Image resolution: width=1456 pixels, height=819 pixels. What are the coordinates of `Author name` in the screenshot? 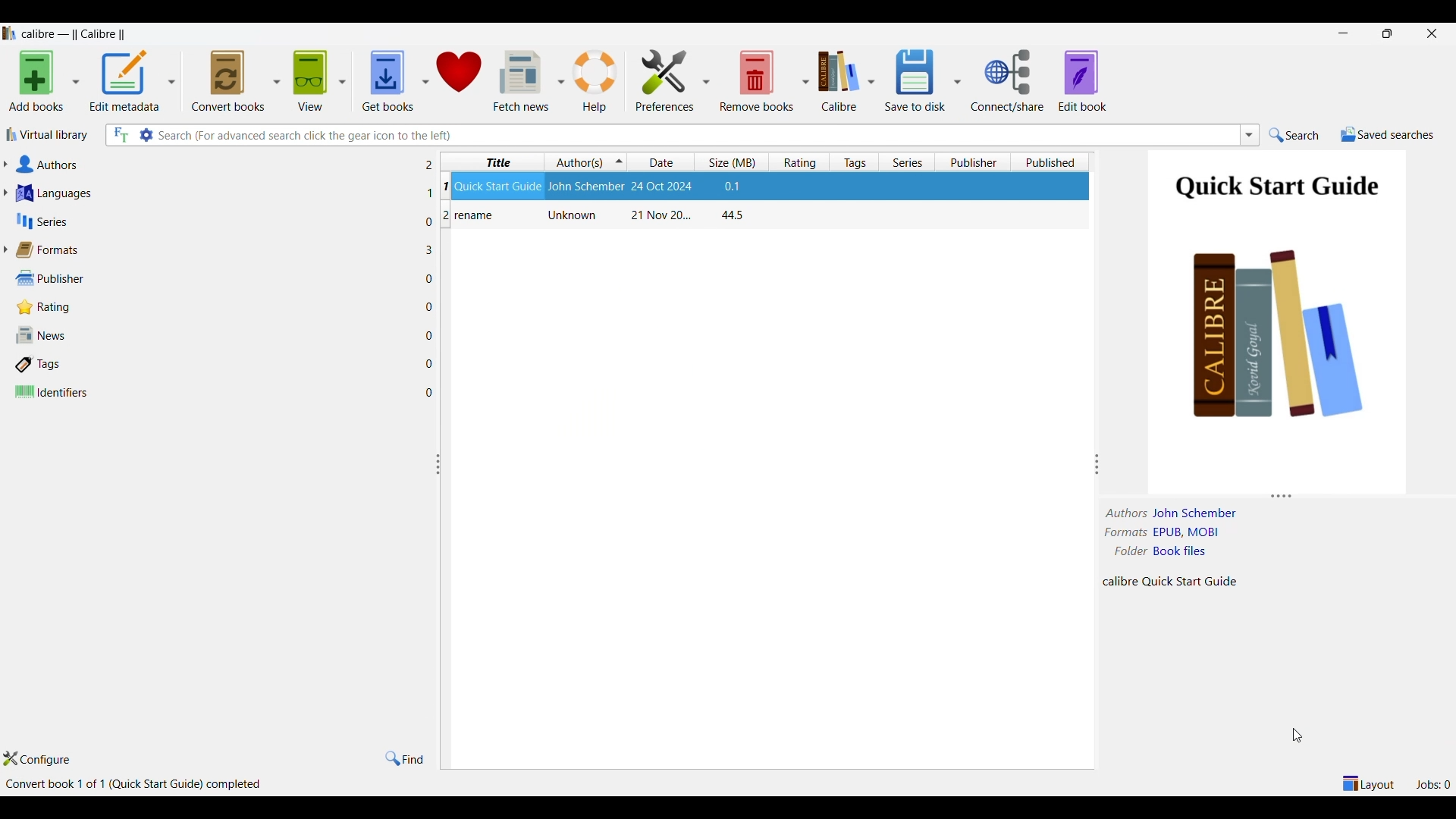 It's located at (1198, 513).